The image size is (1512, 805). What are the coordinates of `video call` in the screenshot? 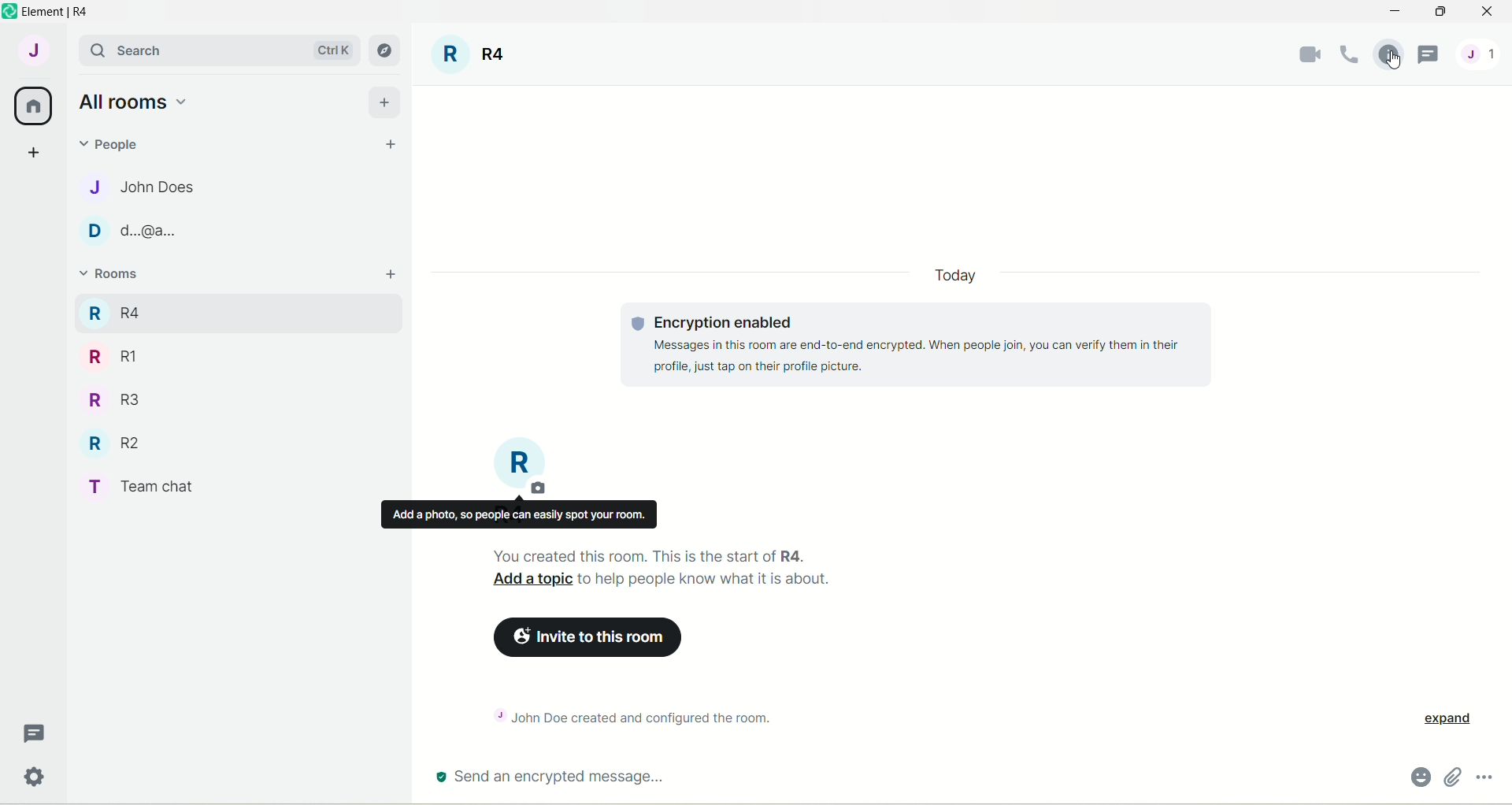 It's located at (1303, 55).